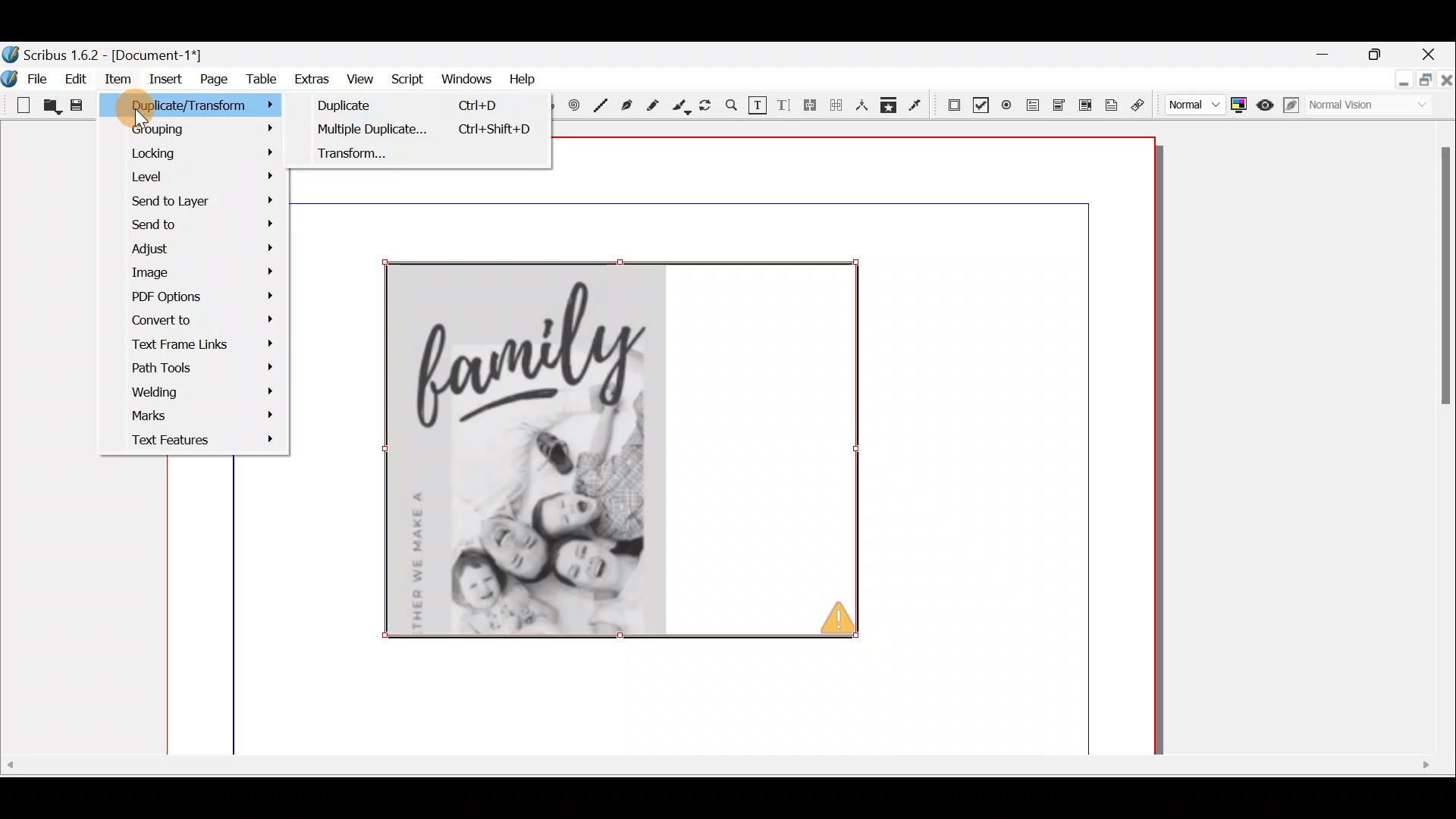  Describe the element at coordinates (918, 106) in the screenshot. I see `Eye dropper` at that location.